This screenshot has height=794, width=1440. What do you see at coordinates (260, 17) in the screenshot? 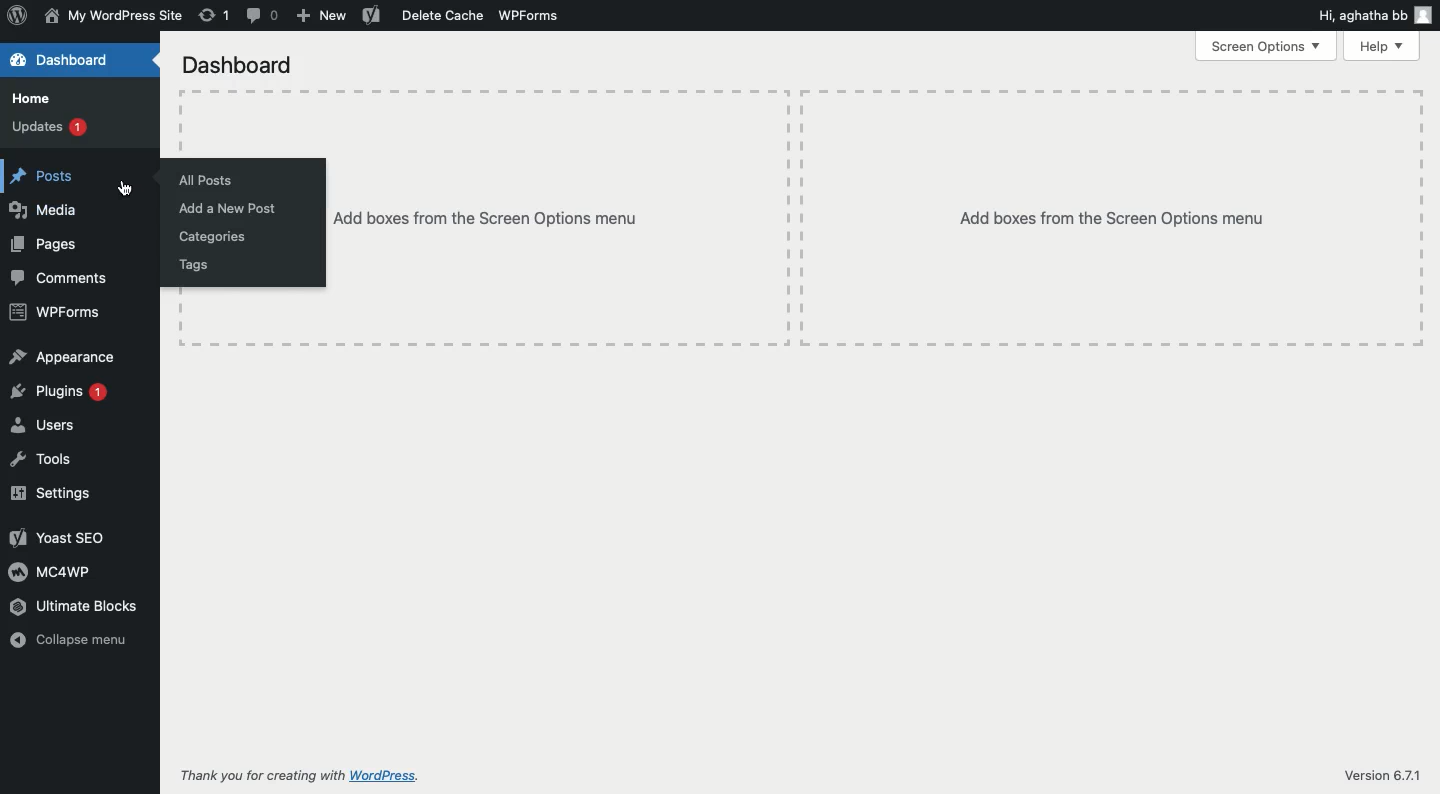
I see `comments` at bounding box center [260, 17].